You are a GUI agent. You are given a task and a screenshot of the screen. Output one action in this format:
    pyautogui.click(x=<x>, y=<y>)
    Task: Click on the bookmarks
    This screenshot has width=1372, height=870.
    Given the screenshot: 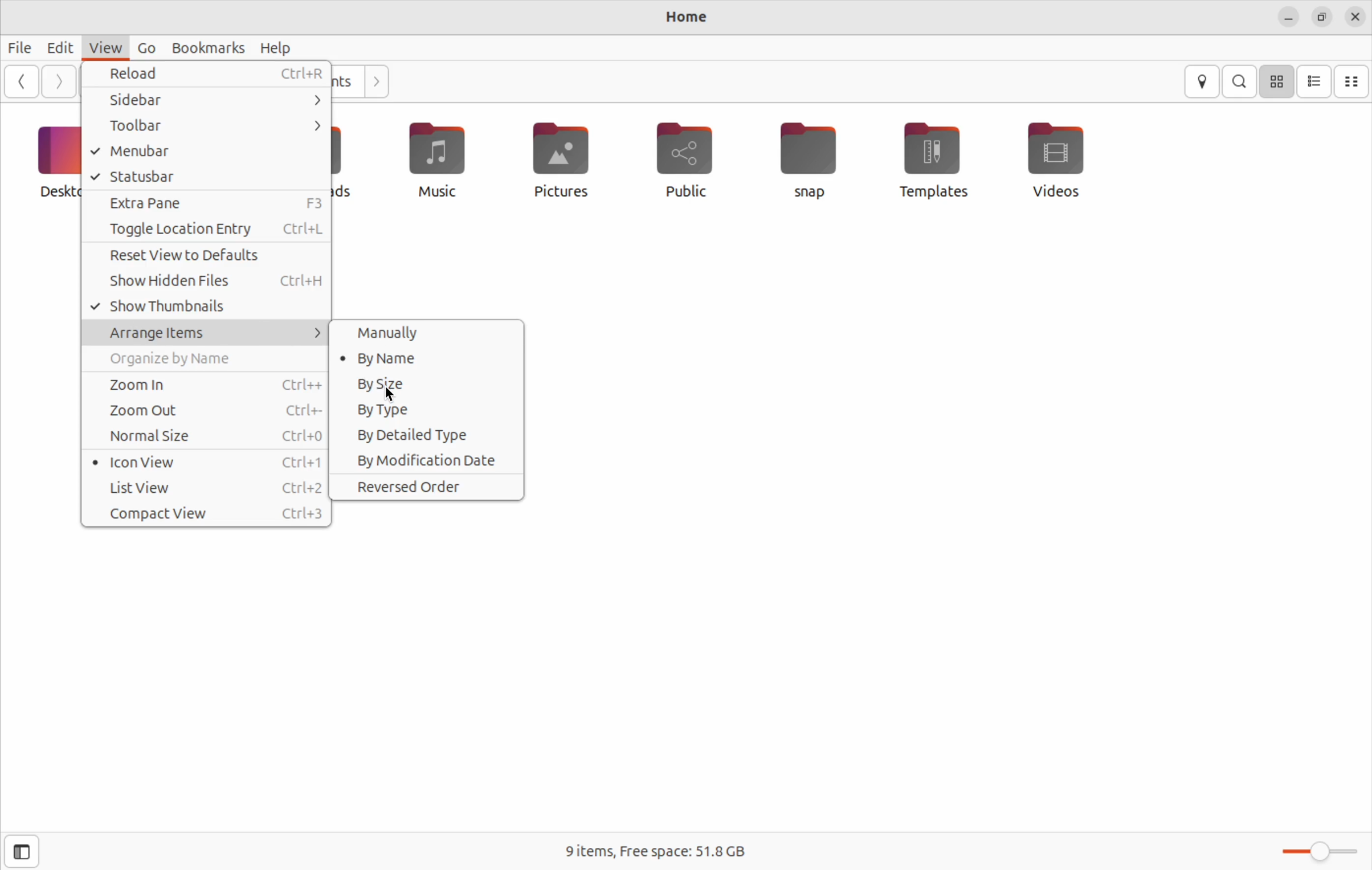 What is the action you would take?
    pyautogui.click(x=208, y=46)
    